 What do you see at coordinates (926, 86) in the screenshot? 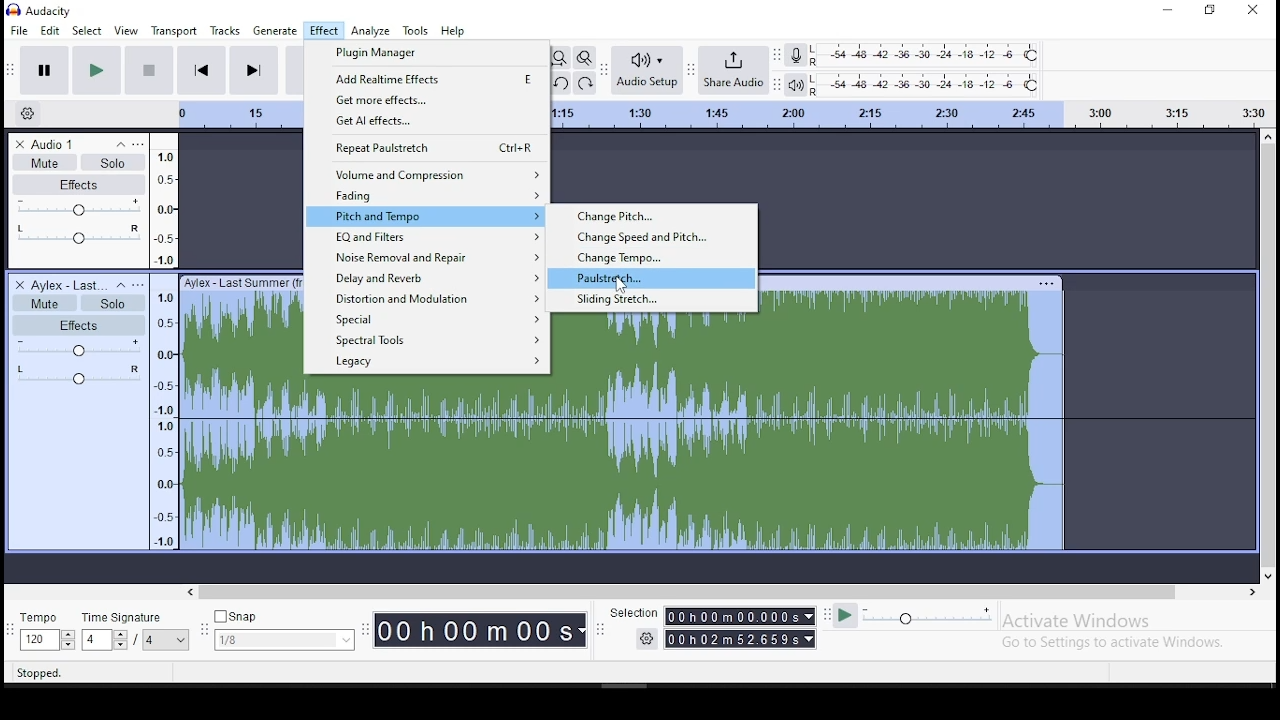
I see `playback meter` at bounding box center [926, 86].